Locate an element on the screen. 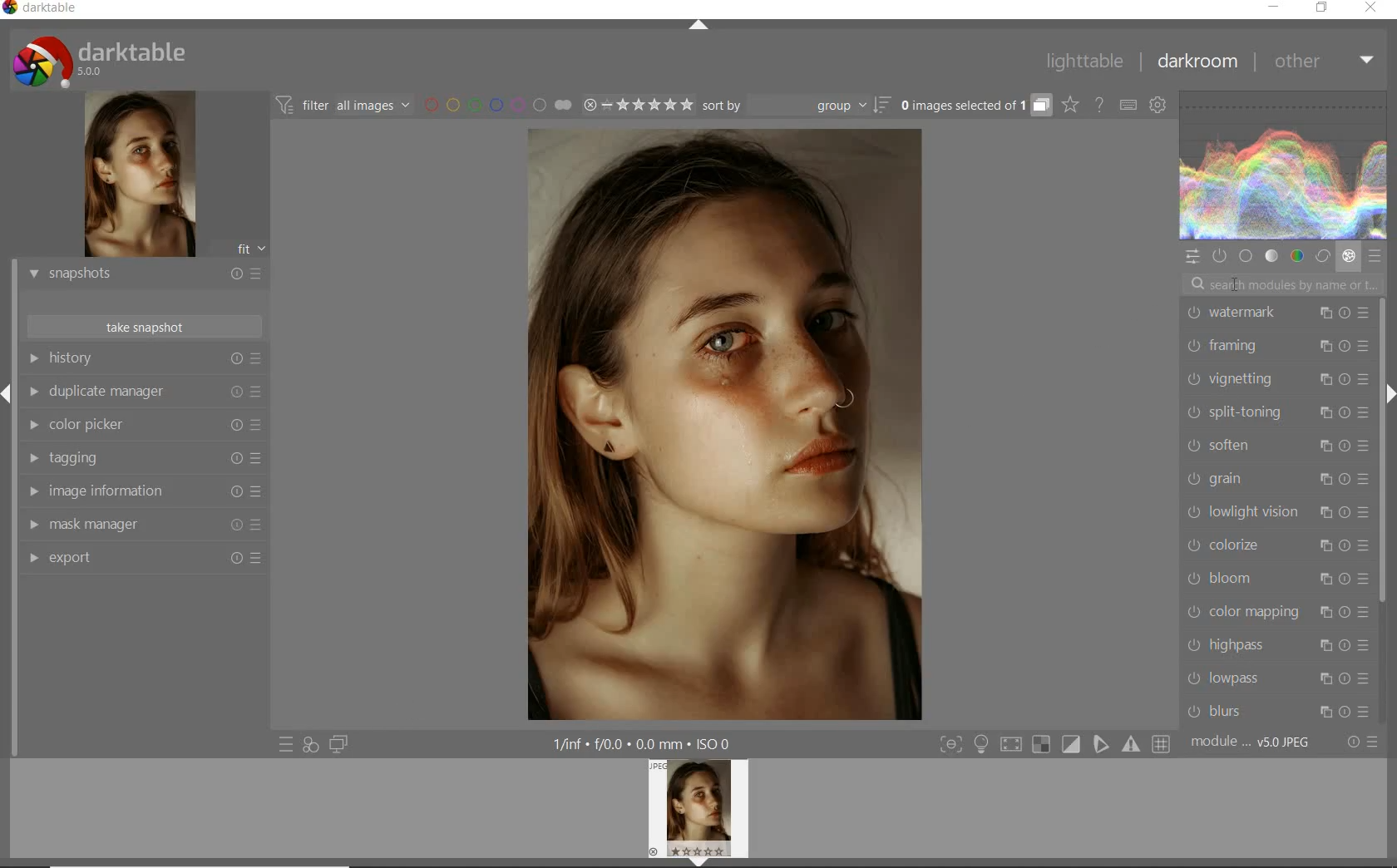  framing is located at coordinates (1274, 347).